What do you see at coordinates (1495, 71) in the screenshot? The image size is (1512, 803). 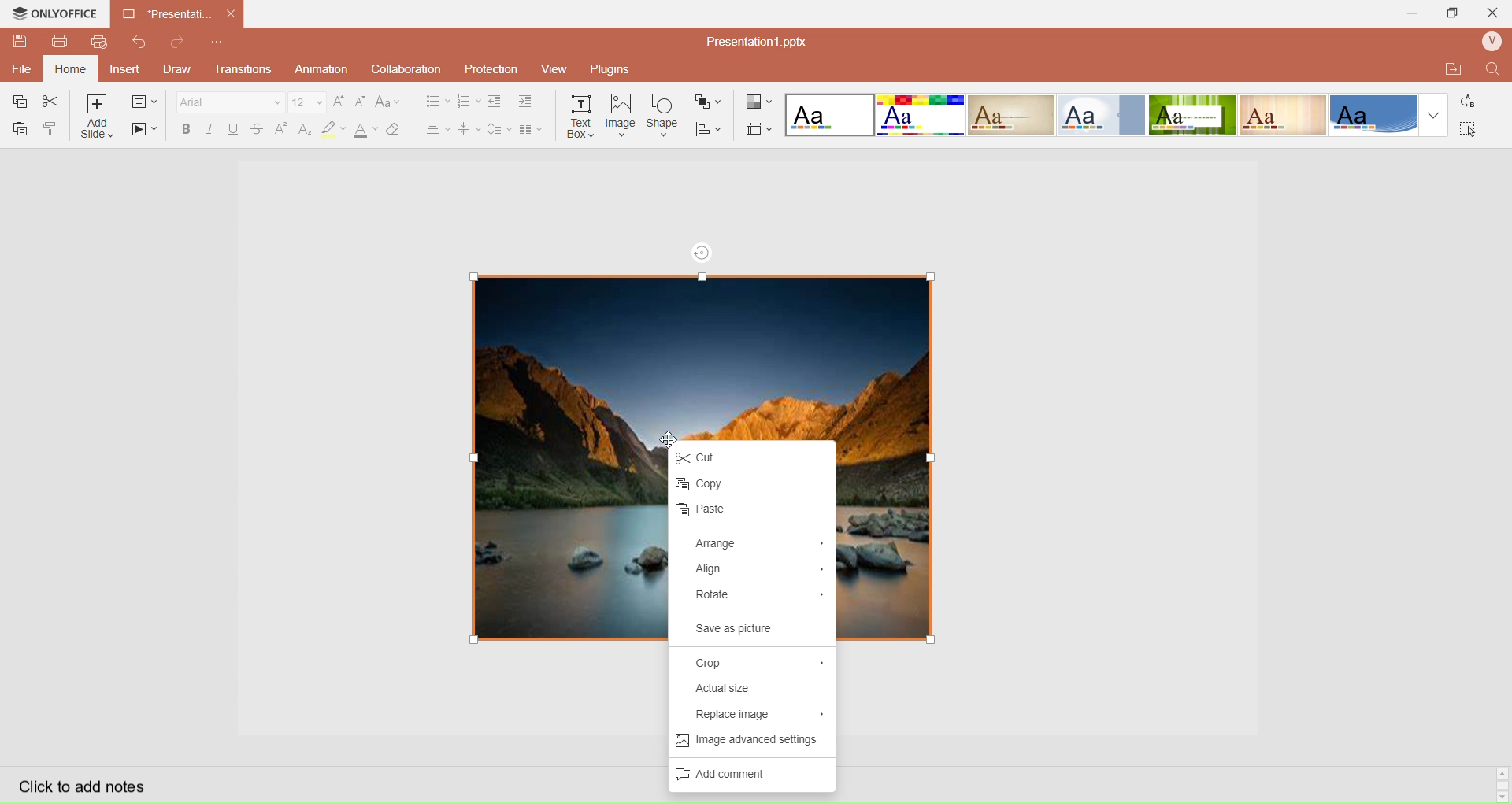 I see `Find` at bounding box center [1495, 71].